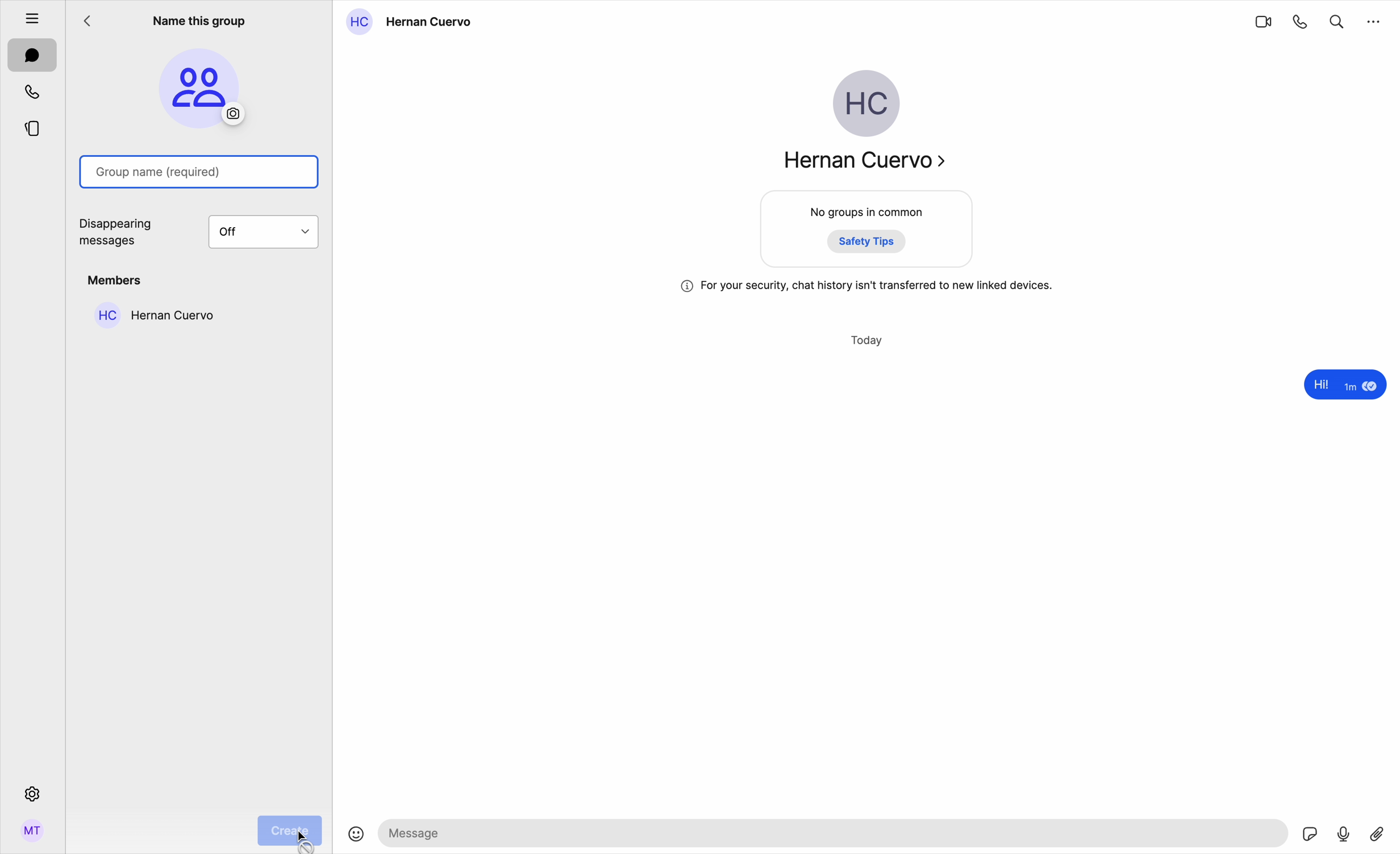  Describe the element at coordinates (151, 314) in the screenshot. I see `hernan cuervo ` at that location.